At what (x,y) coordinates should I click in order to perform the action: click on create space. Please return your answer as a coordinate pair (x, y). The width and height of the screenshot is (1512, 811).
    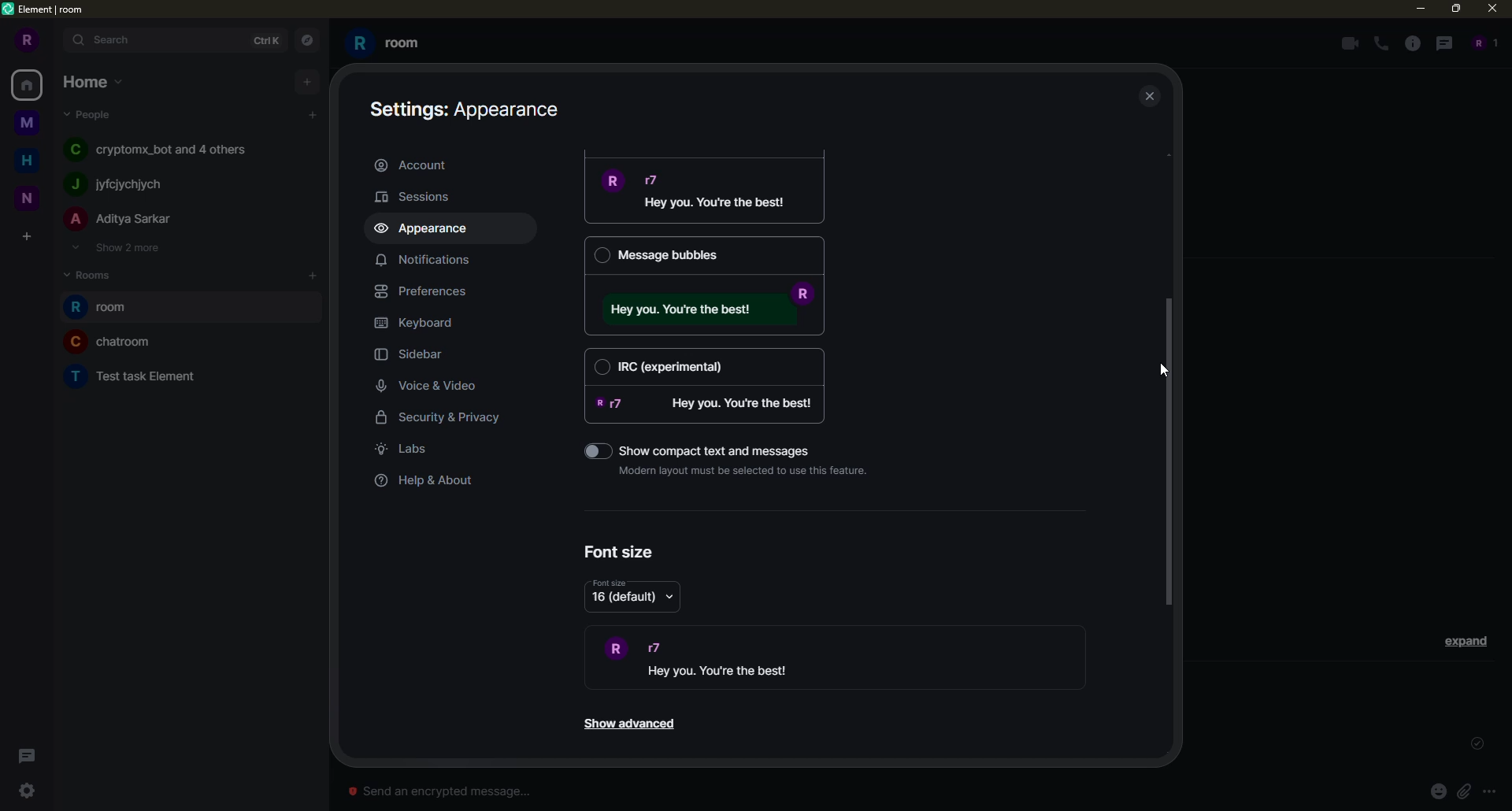
    Looking at the image, I should click on (26, 238).